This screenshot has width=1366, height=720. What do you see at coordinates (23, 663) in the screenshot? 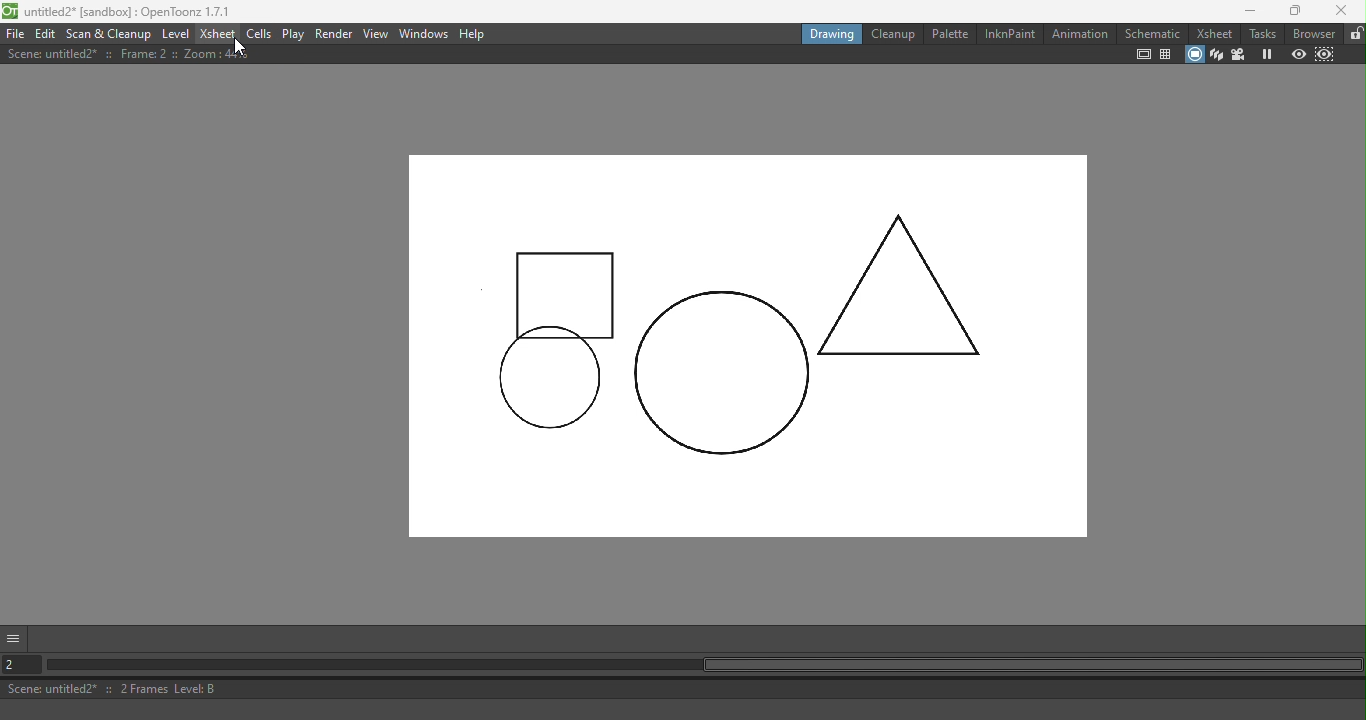
I see `Set the current frame` at bounding box center [23, 663].